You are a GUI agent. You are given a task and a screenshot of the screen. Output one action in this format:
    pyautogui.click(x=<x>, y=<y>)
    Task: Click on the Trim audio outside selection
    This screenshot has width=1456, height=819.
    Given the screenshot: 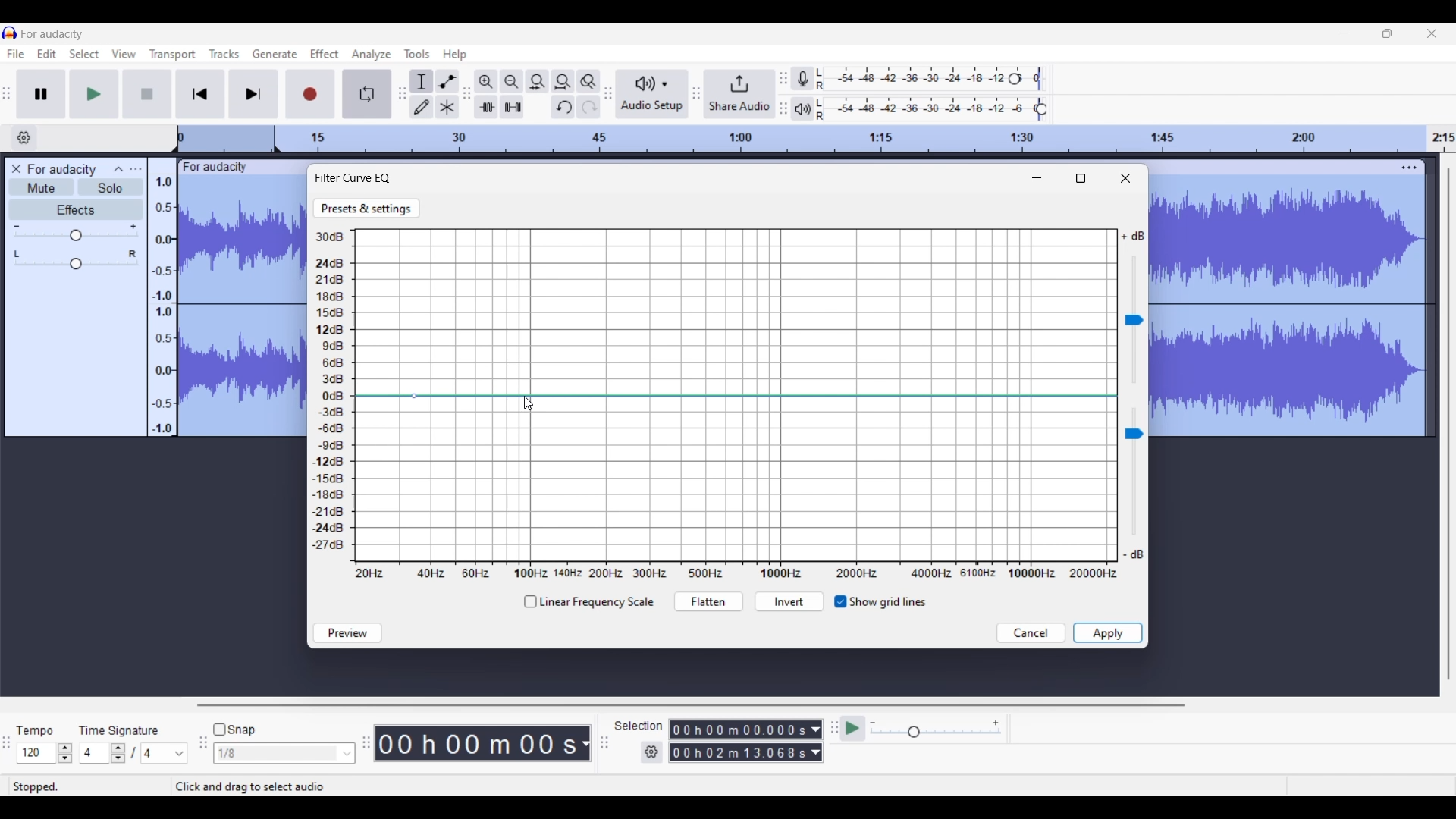 What is the action you would take?
    pyautogui.click(x=486, y=106)
    